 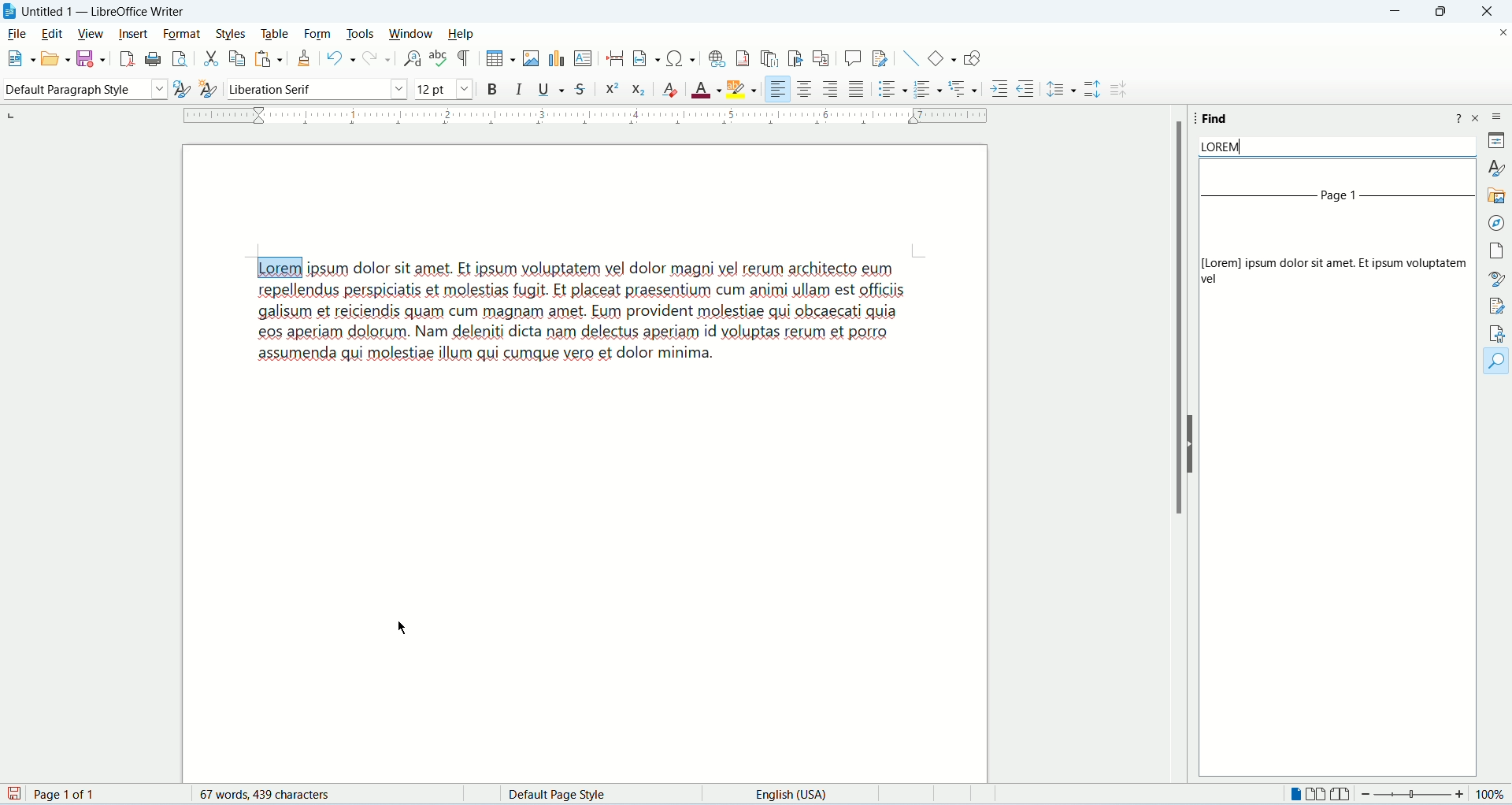 I want to click on insert line, so click(x=911, y=59).